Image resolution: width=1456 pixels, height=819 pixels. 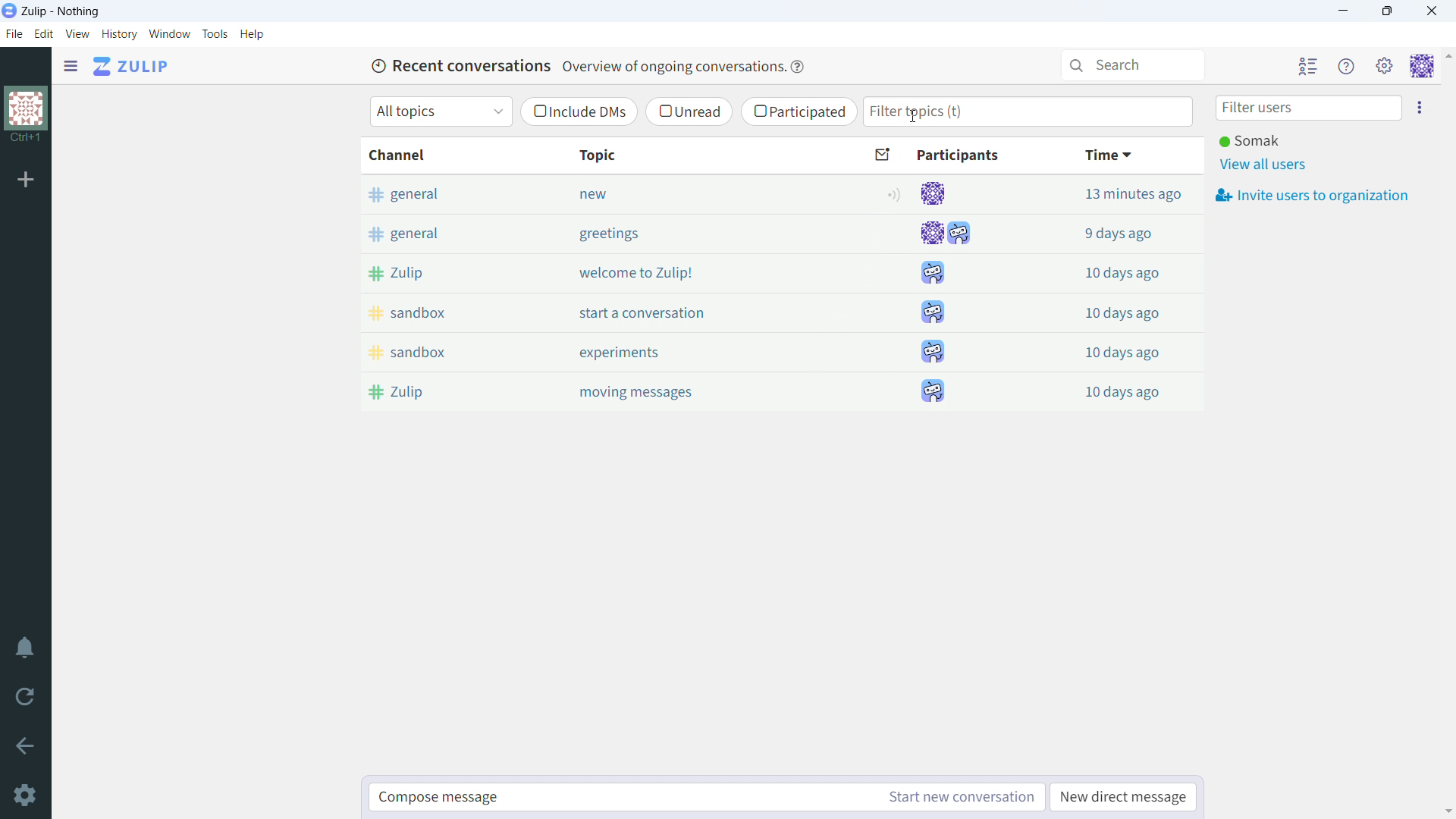 What do you see at coordinates (694, 234) in the screenshot?
I see `greetings` at bounding box center [694, 234].